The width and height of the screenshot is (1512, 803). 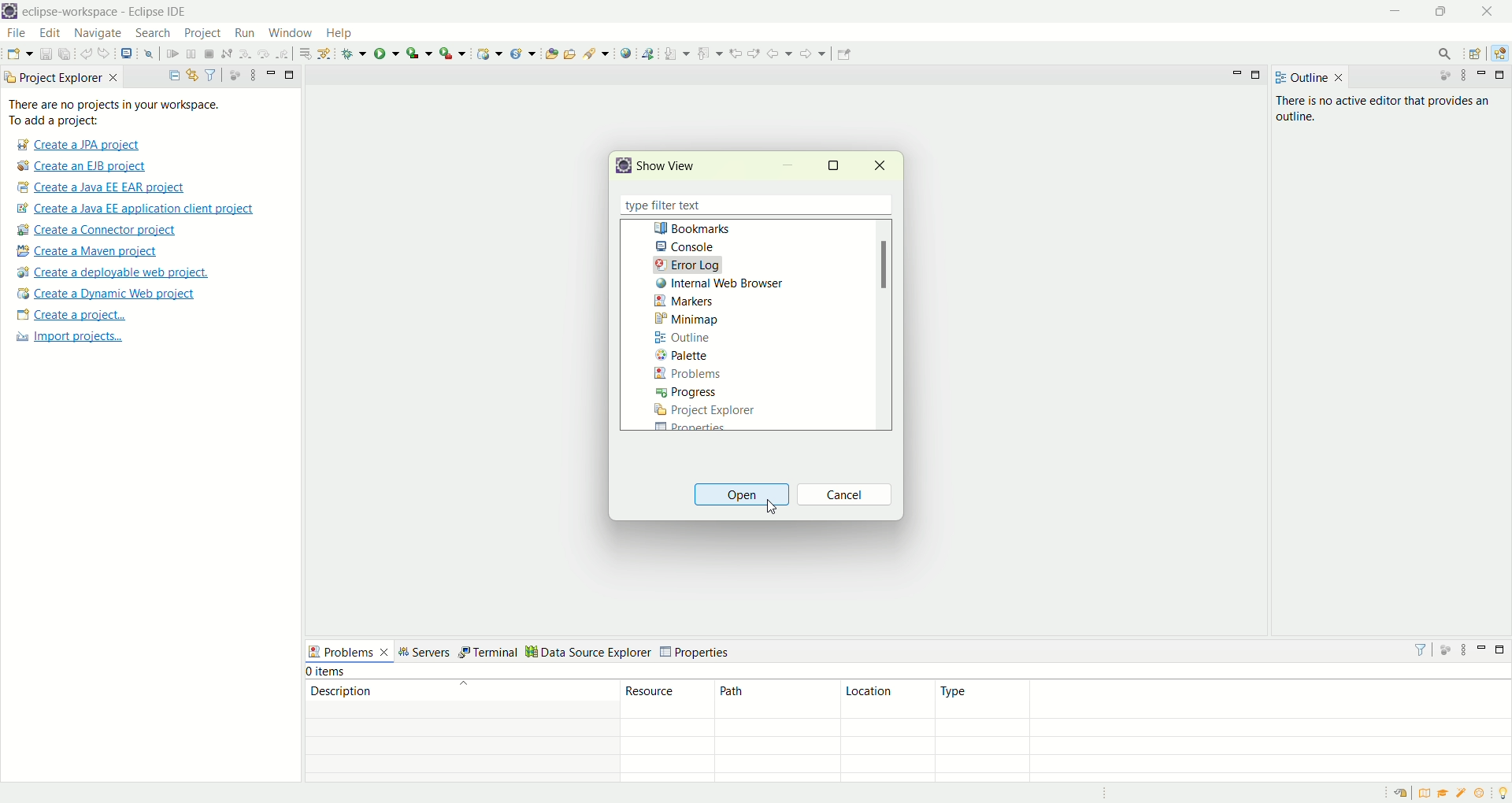 What do you see at coordinates (691, 430) in the screenshot?
I see `Properties` at bounding box center [691, 430].